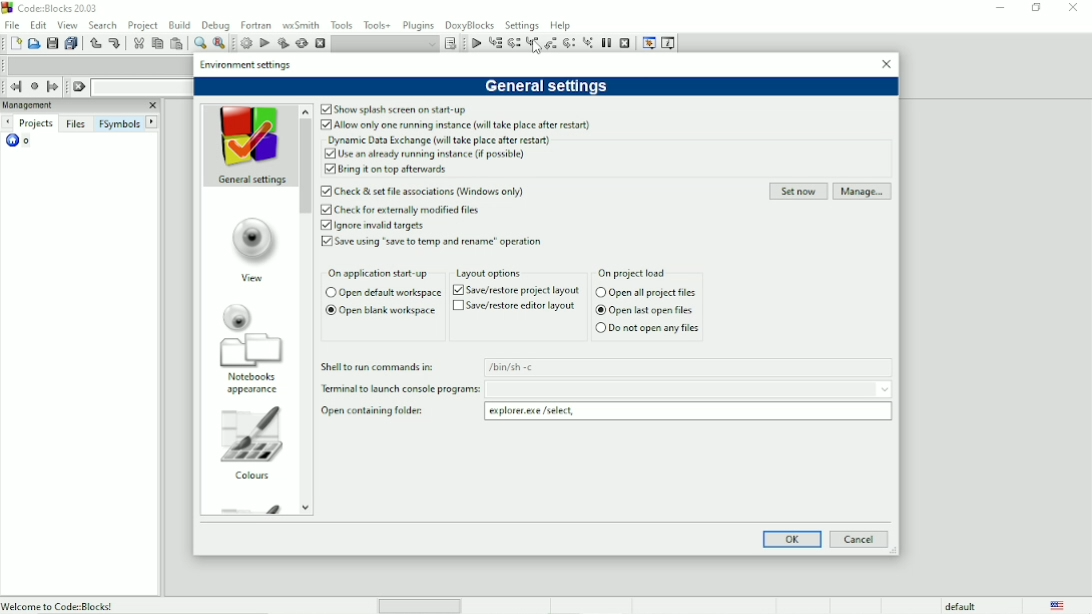  What do you see at coordinates (306, 166) in the screenshot?
I see `Vertical scrollbar` at bounding box center [306, 166].